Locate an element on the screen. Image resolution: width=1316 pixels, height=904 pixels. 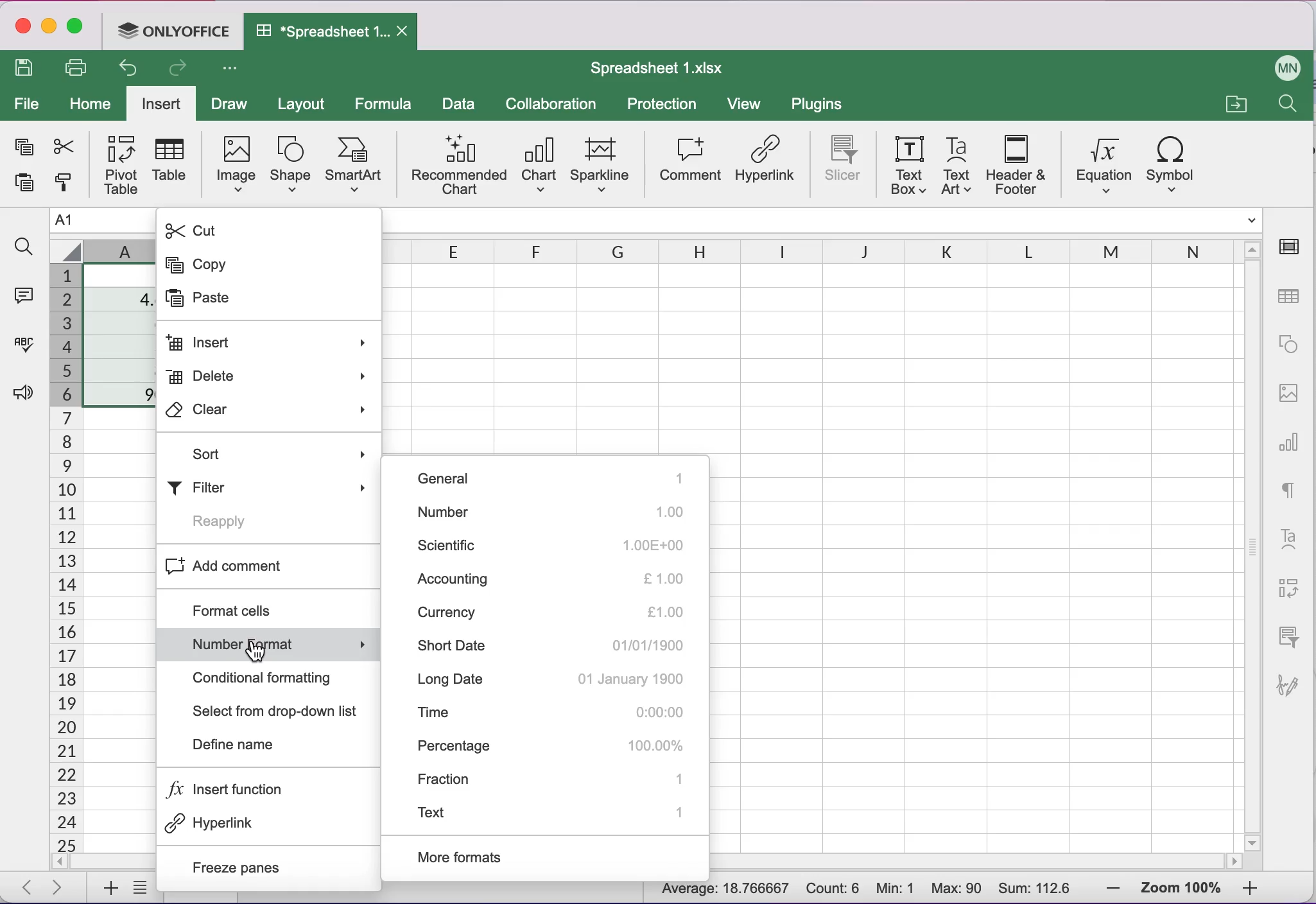
save is located at coordinates (23, 69).